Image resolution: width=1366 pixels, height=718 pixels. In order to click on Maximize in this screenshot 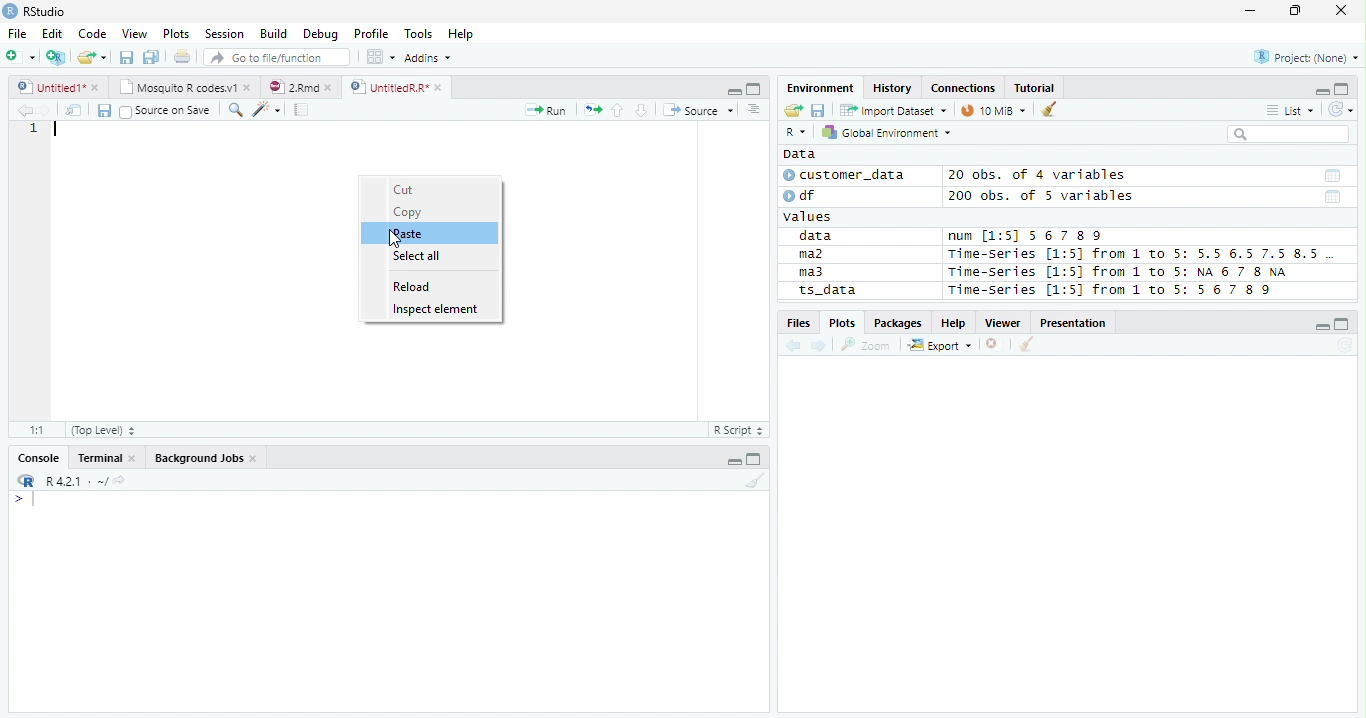, I will do `click(753, 88)`.